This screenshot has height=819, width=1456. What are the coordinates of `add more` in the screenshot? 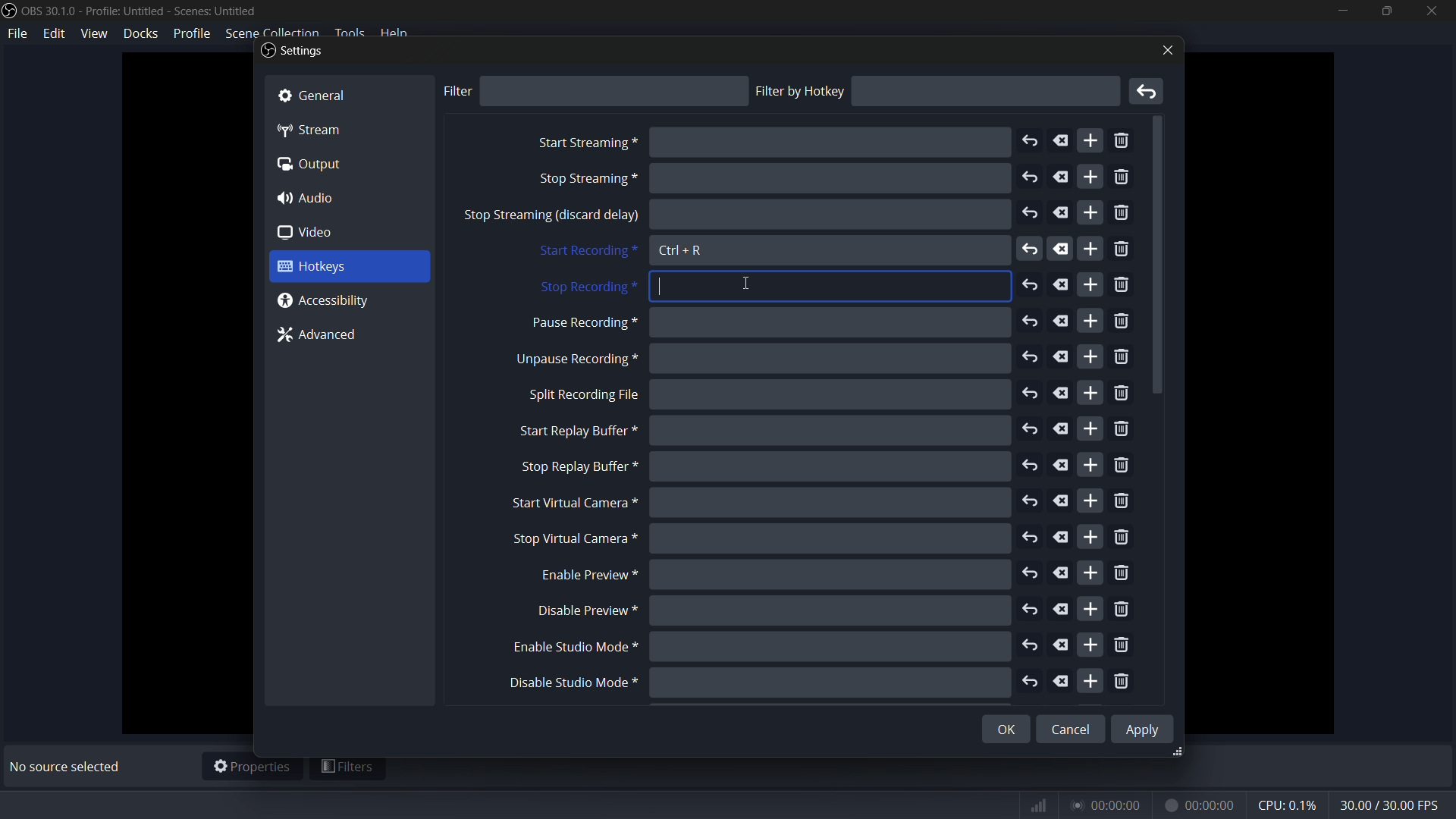 It's located at (1089, 428).